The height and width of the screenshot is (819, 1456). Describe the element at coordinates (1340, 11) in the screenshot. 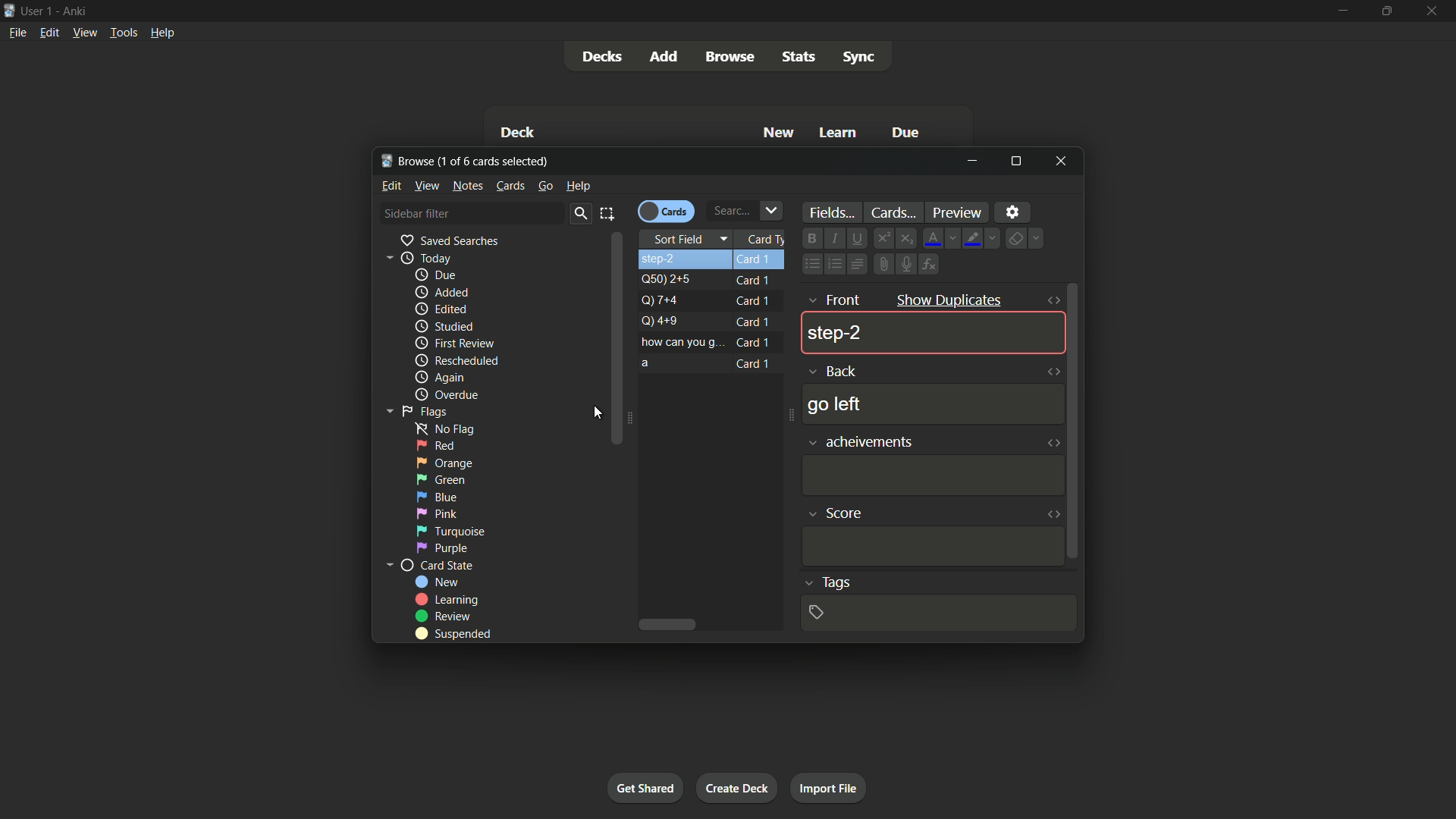

I see `minimize` at that location.